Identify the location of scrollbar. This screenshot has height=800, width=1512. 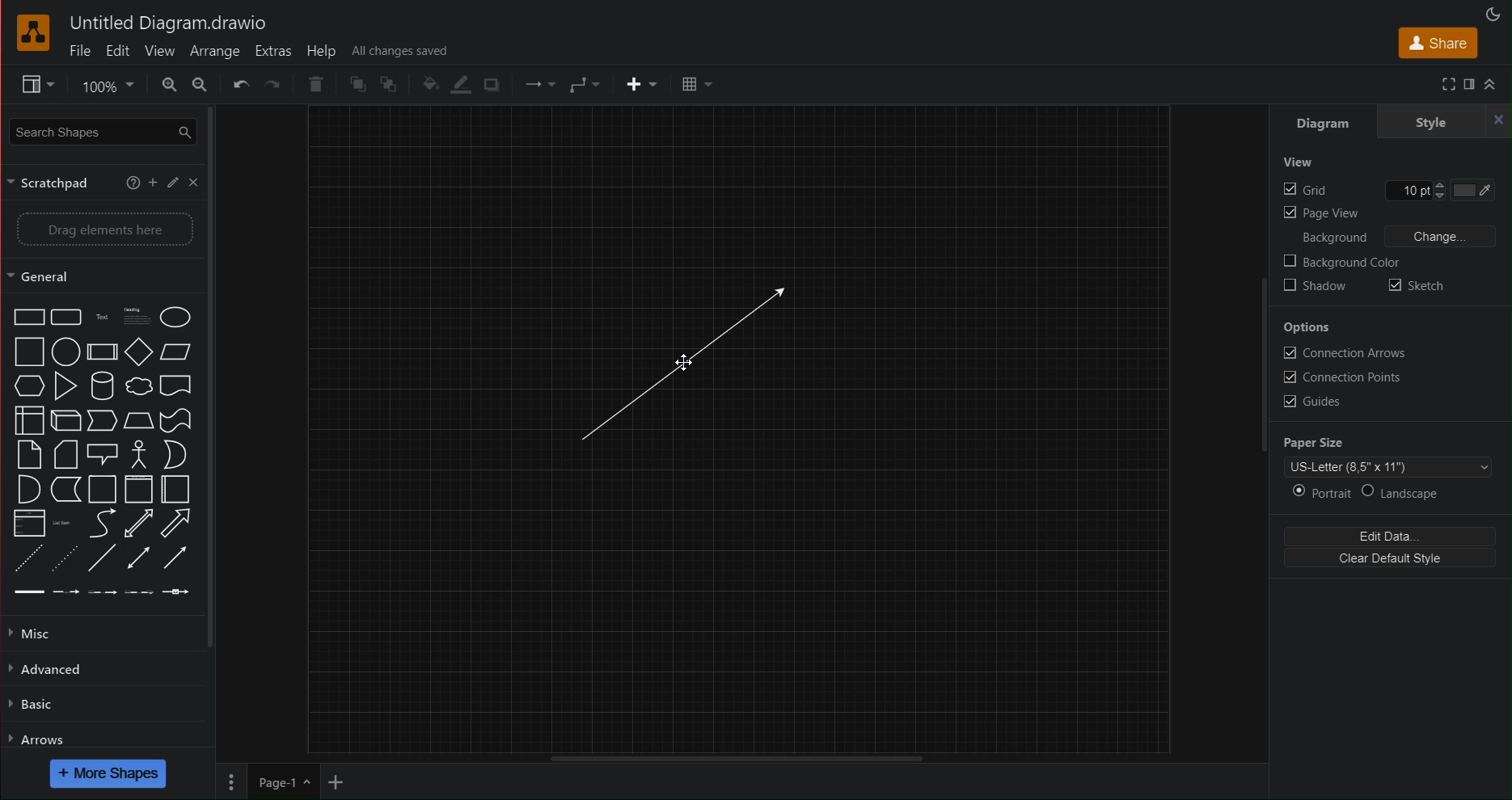
(218, 377).